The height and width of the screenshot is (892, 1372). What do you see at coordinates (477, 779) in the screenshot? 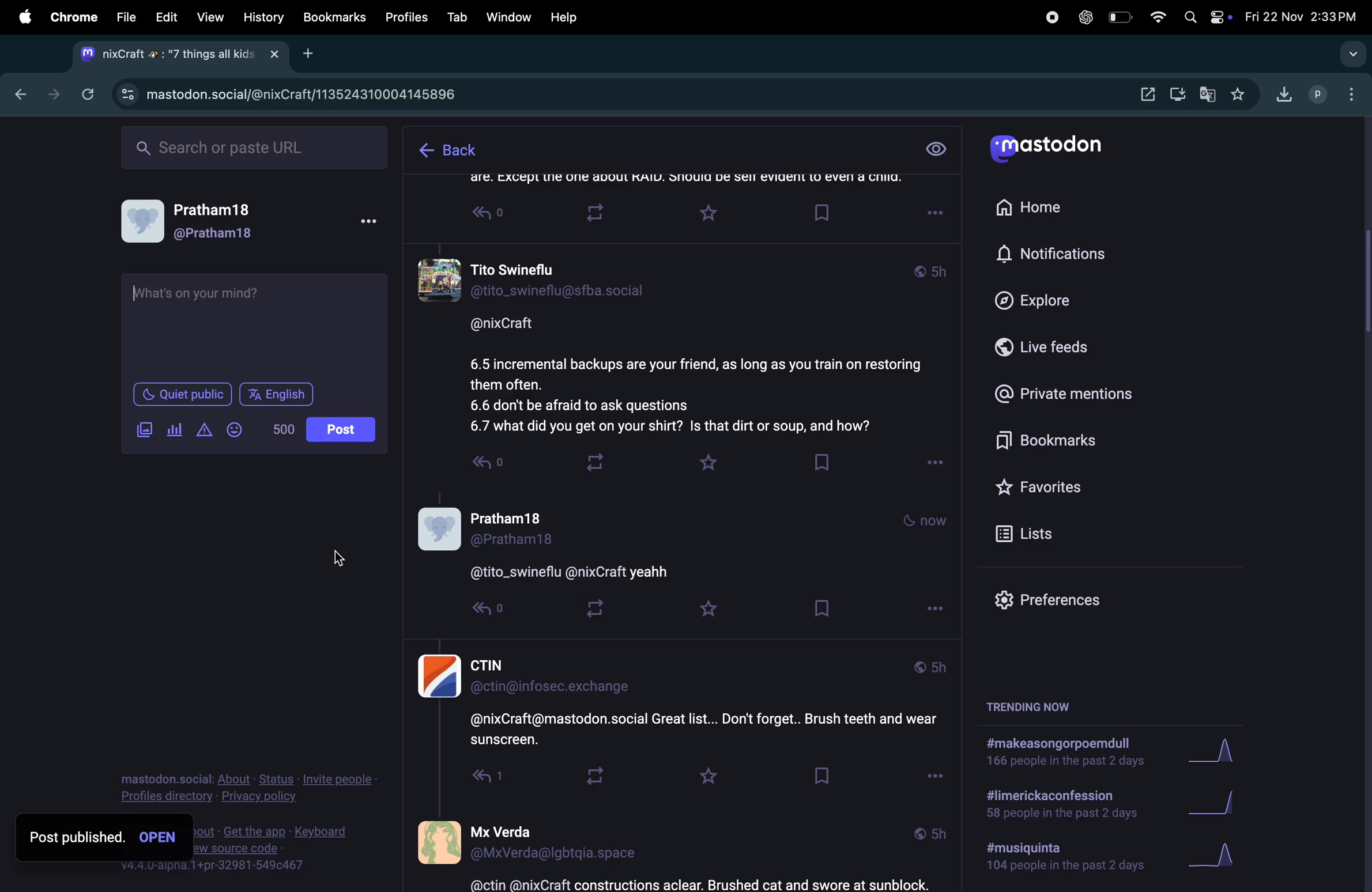
I see `Read` at bounding box center [477, 779].